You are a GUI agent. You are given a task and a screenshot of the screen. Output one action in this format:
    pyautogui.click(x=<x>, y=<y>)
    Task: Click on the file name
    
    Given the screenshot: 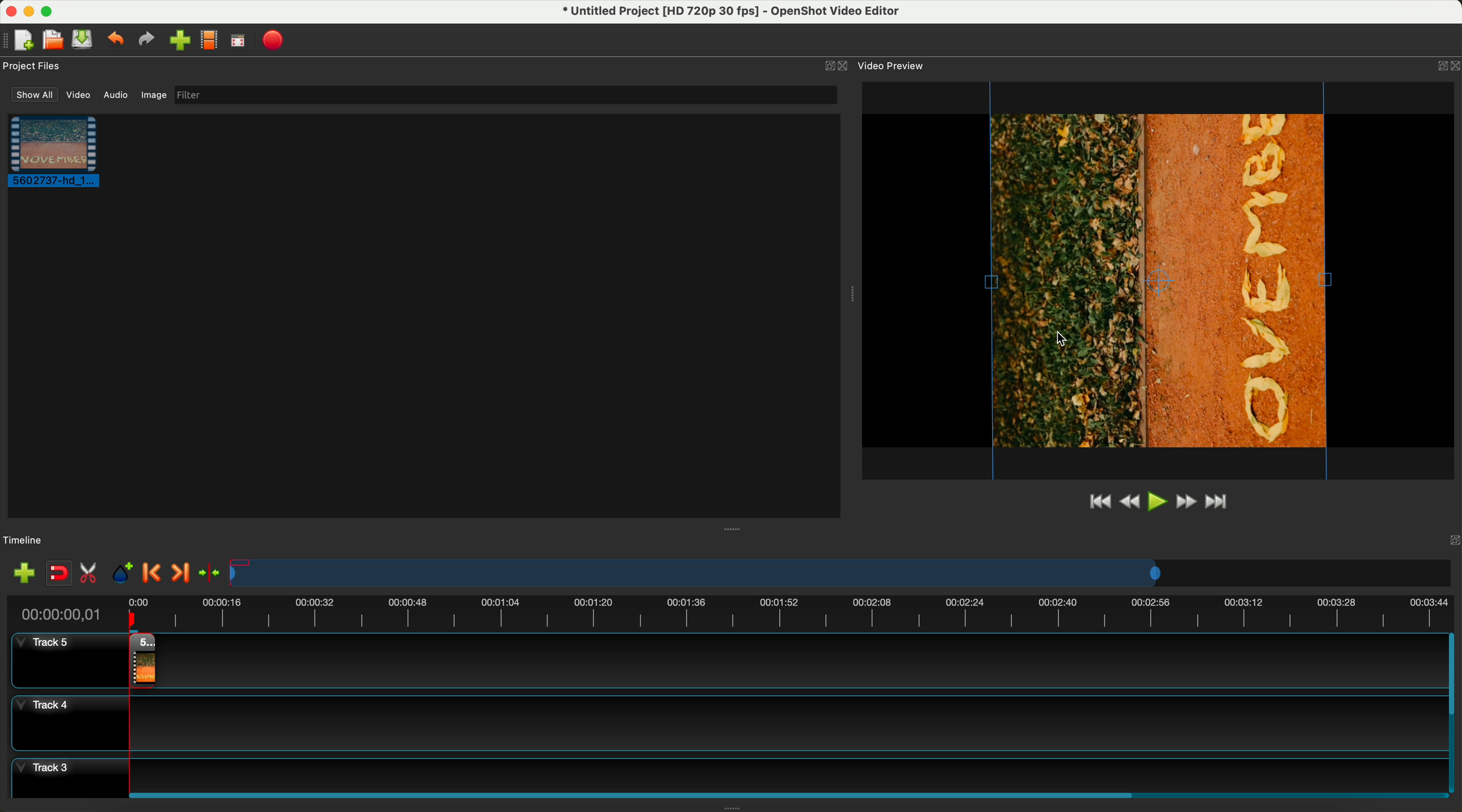 What is the action you would take?
    pyautogui.click(x=736, y=14)
    